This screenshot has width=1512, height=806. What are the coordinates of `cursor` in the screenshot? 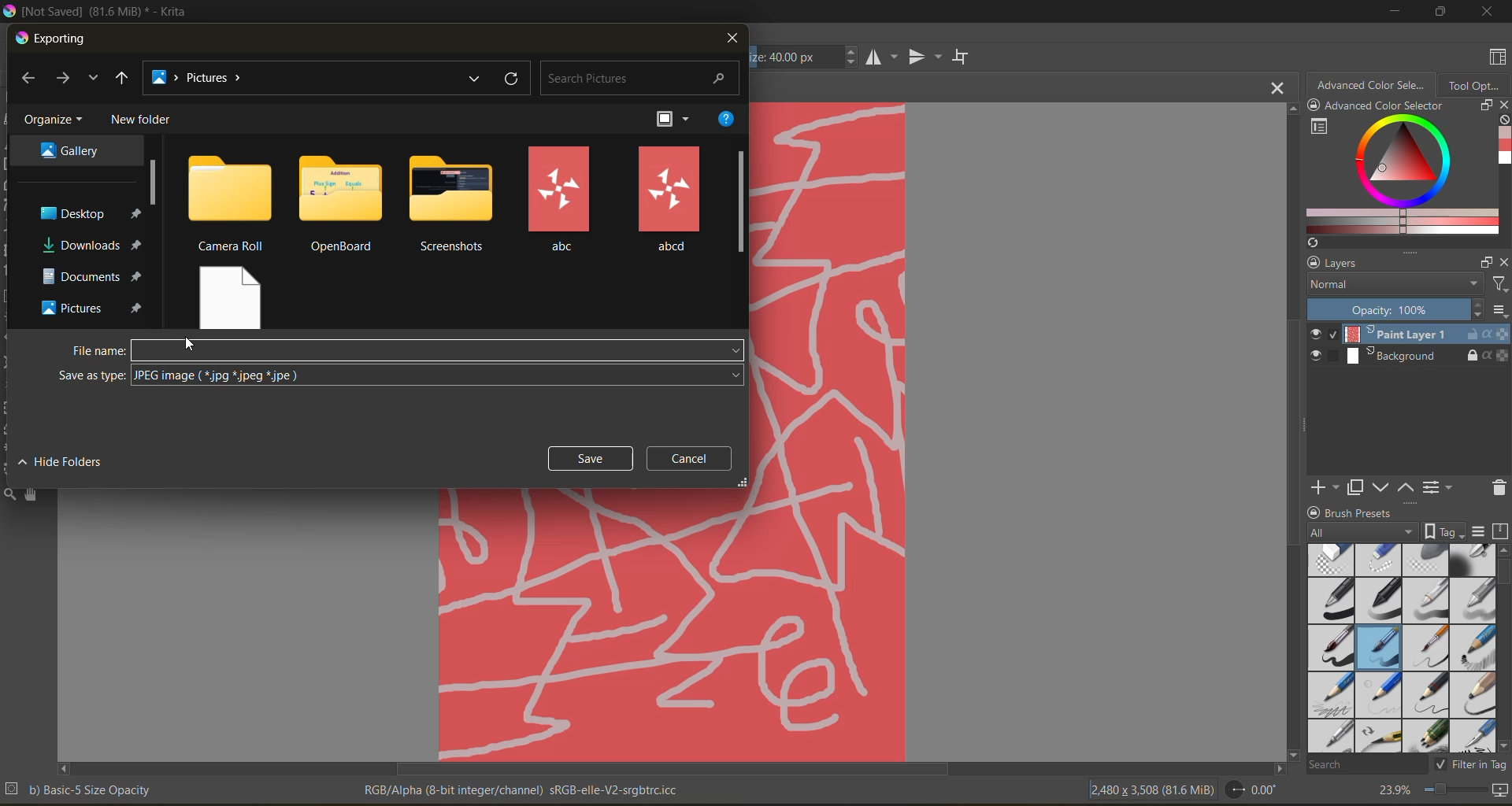 It's located at (192, 346).